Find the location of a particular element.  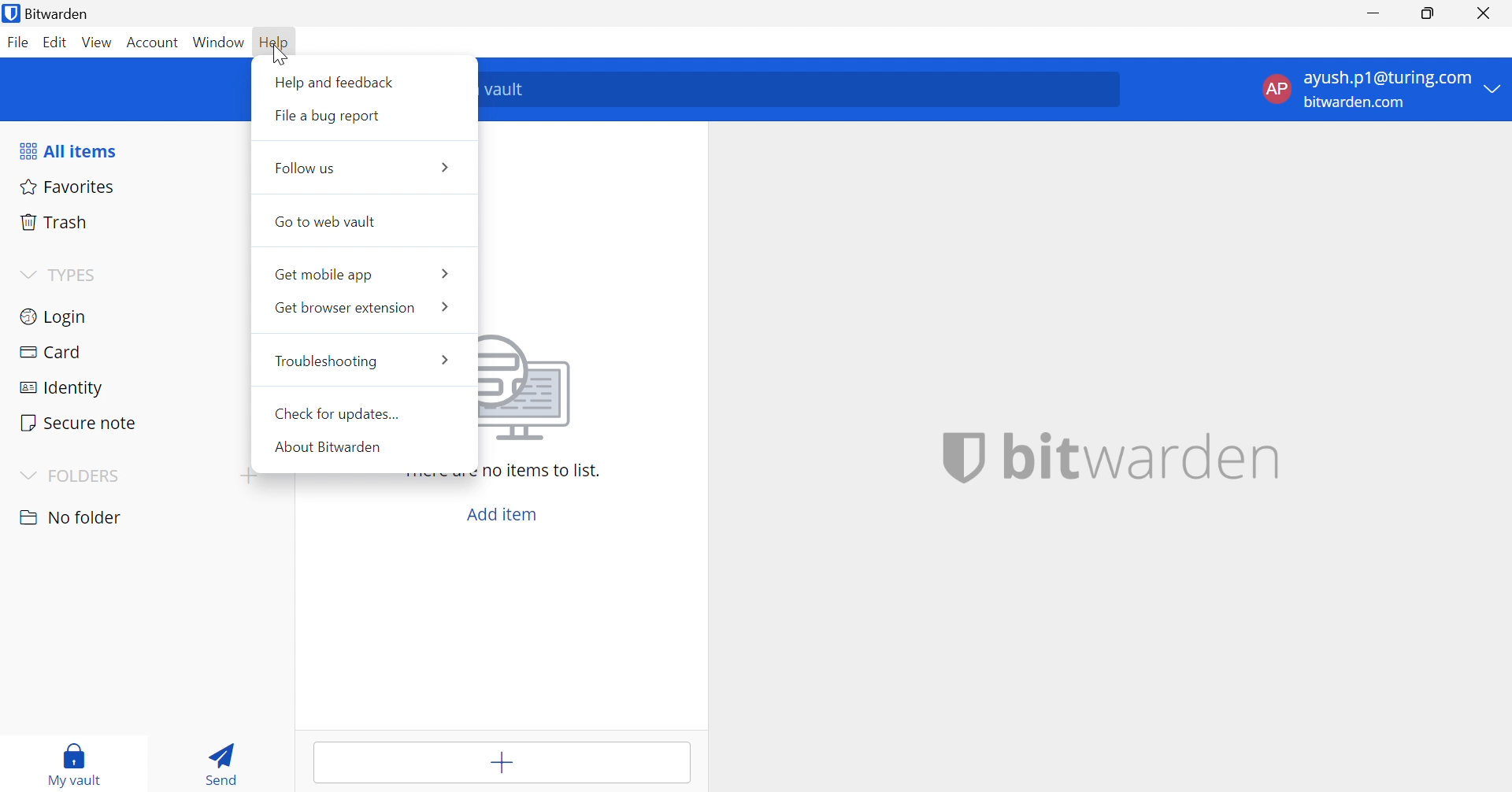

Drop Down is located at coordinates (252, 476).